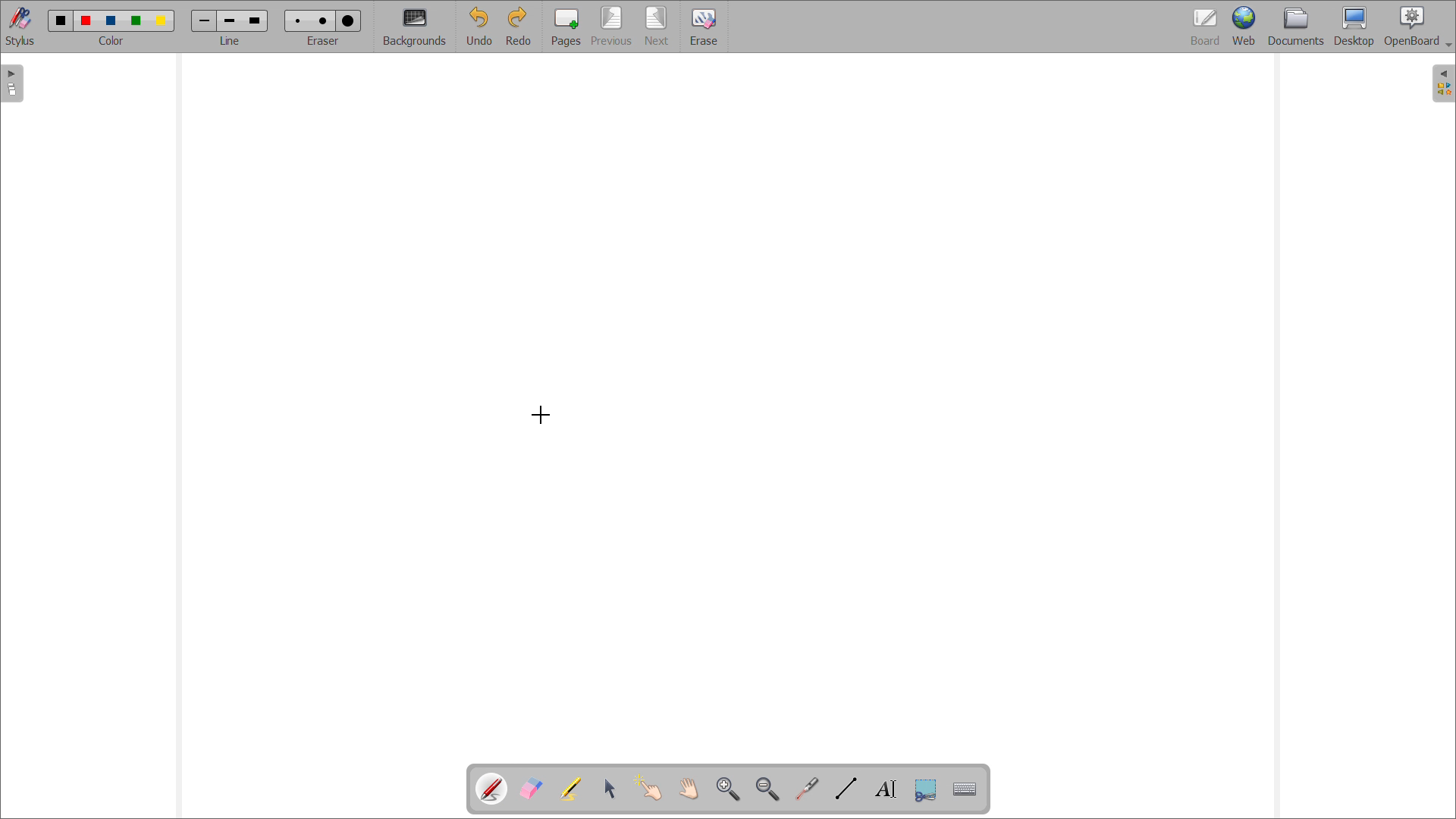  What do you see at coordinates (1244, 27) in the screenshot?
I see `web` at bounding box center [1244, 27].